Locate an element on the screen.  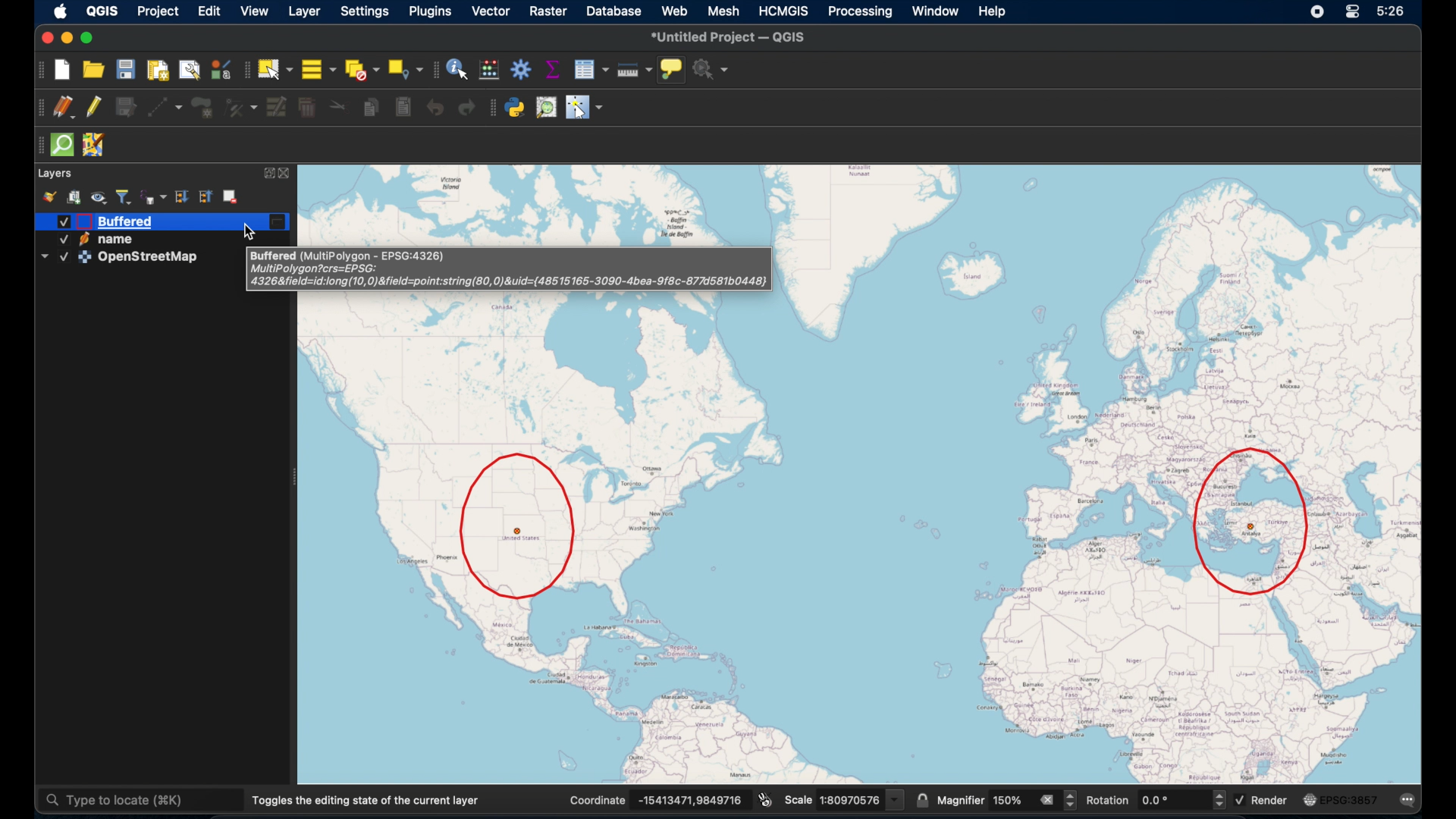
layer is located at coordinates (306, 12).